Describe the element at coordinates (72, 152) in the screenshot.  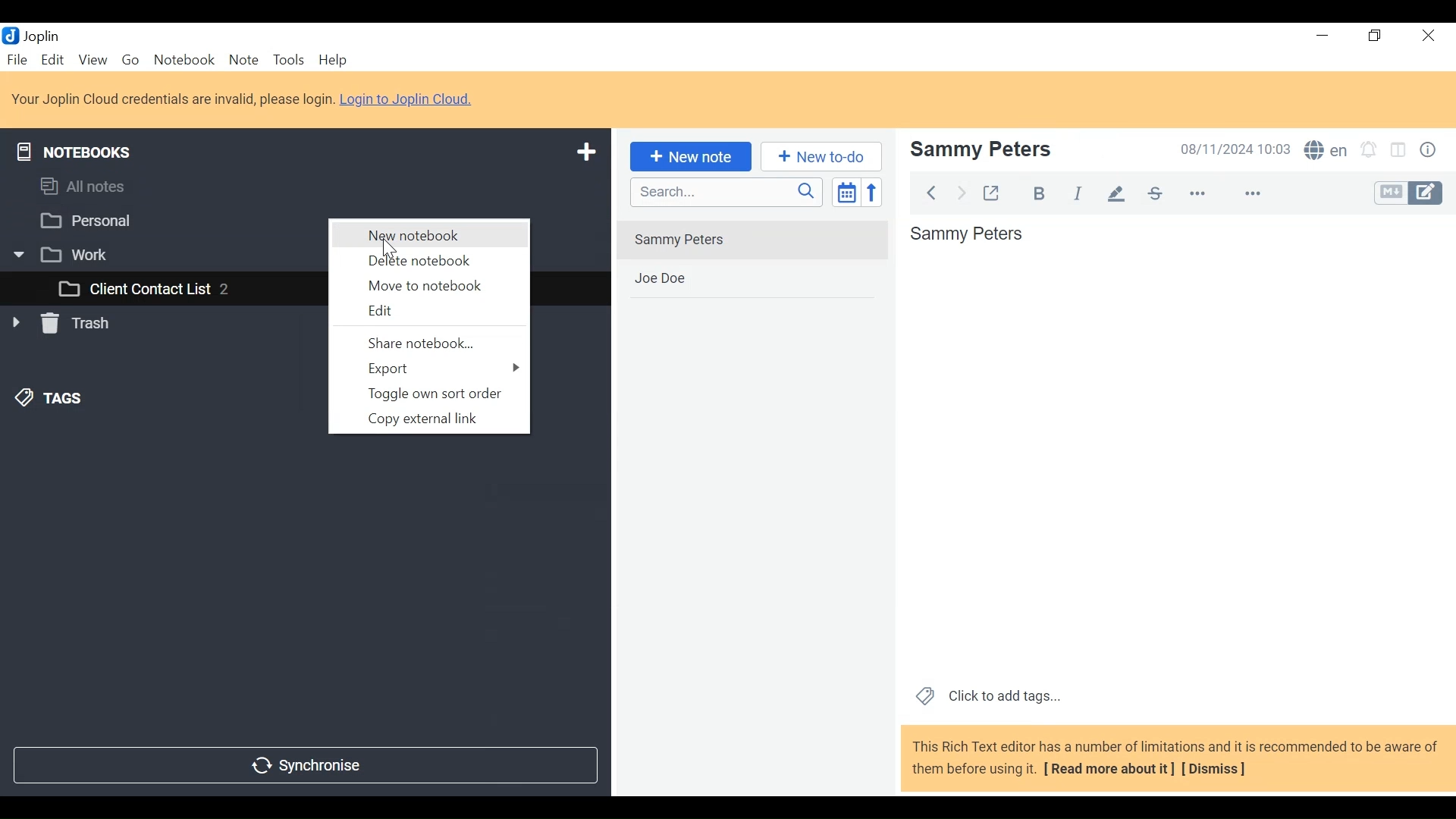
I see `Notebooks` at that location.